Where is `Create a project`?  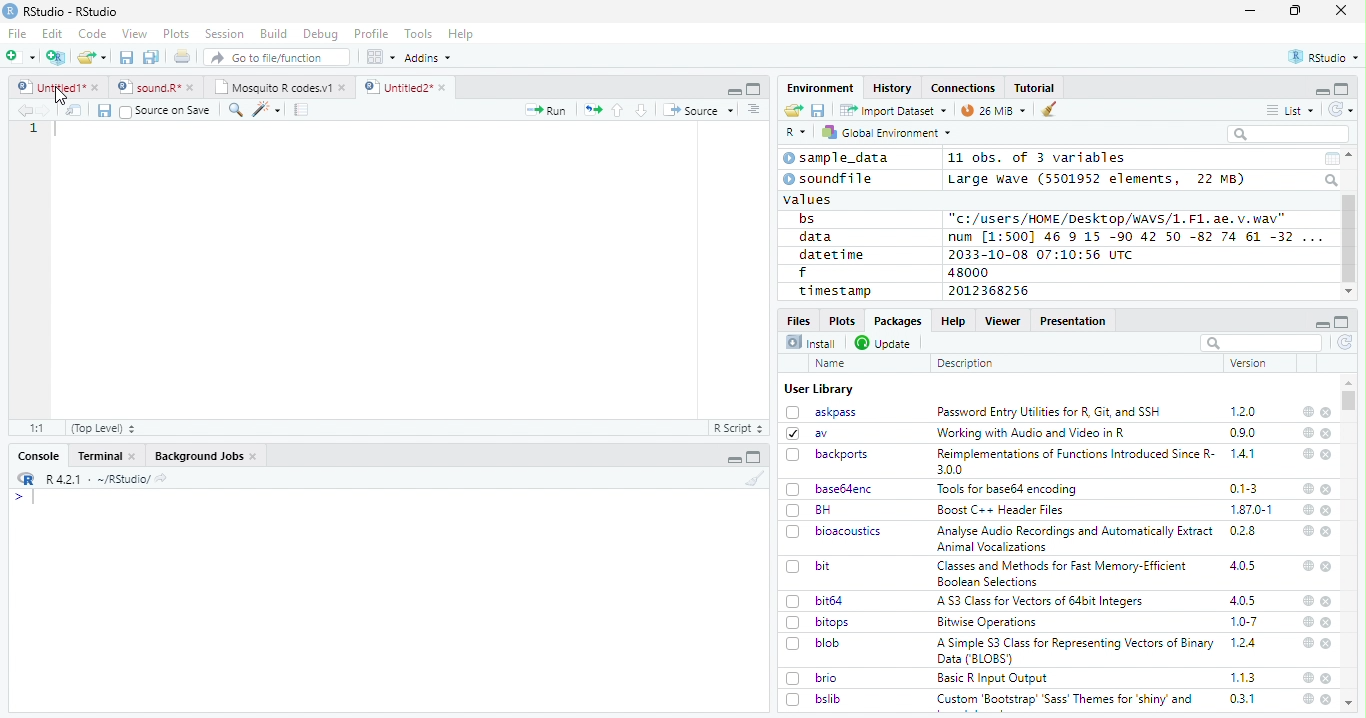 Create a project is located at coordinates (56, 57).